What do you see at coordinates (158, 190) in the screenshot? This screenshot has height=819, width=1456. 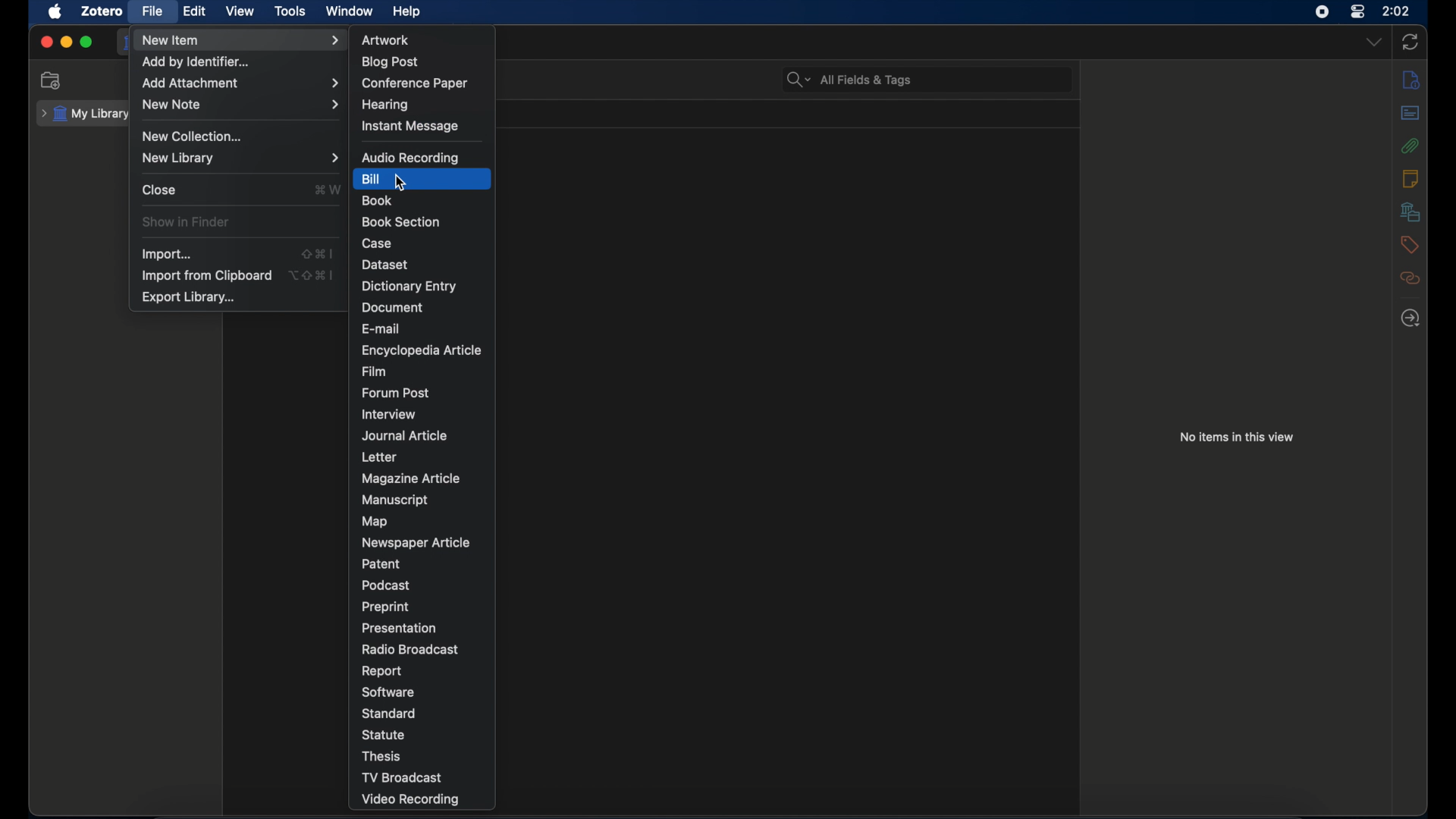 I see `close` at bounding box center [158, 190].